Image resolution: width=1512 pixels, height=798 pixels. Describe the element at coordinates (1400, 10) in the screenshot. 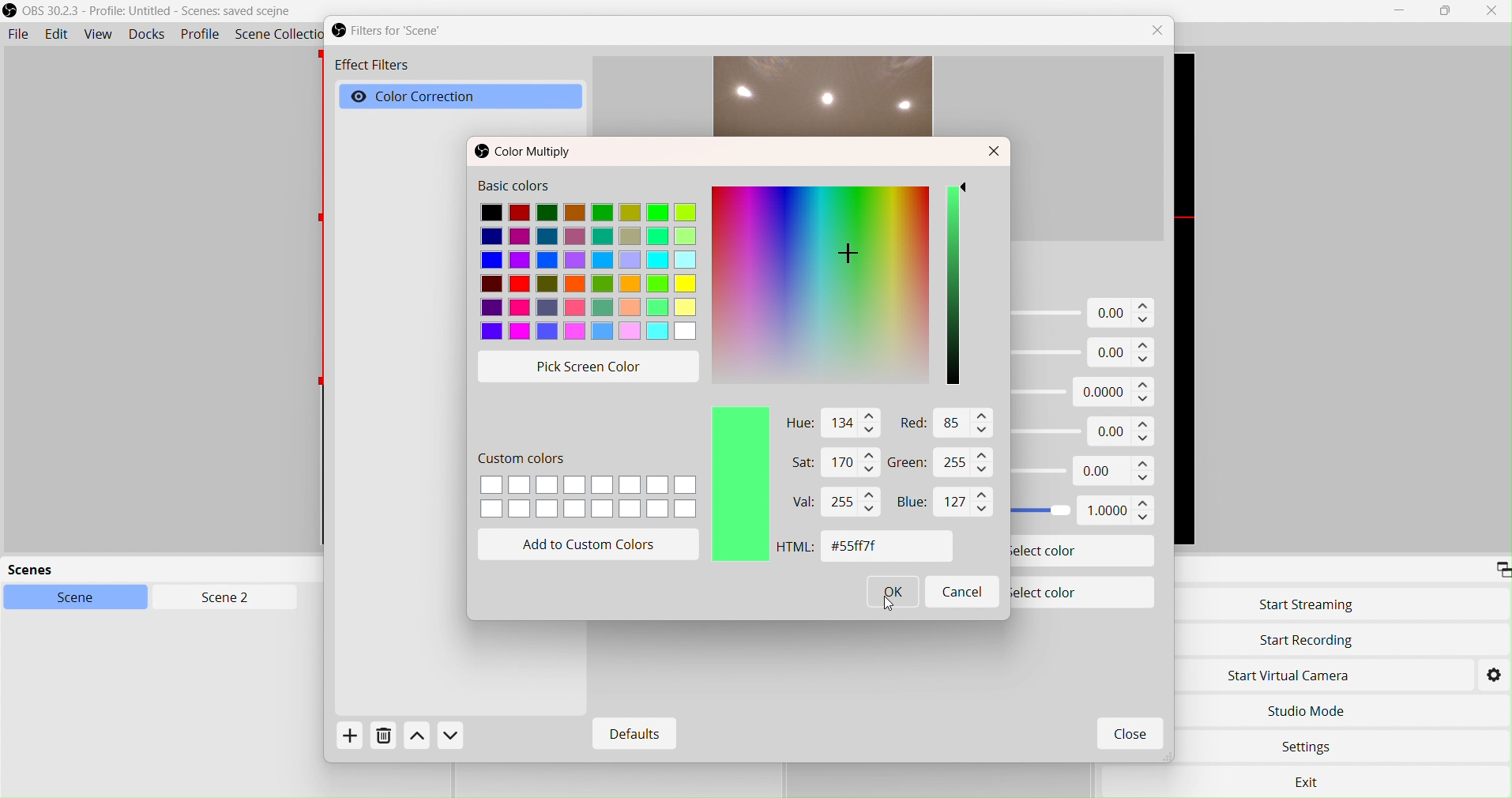

I see `Minimize` at that location.